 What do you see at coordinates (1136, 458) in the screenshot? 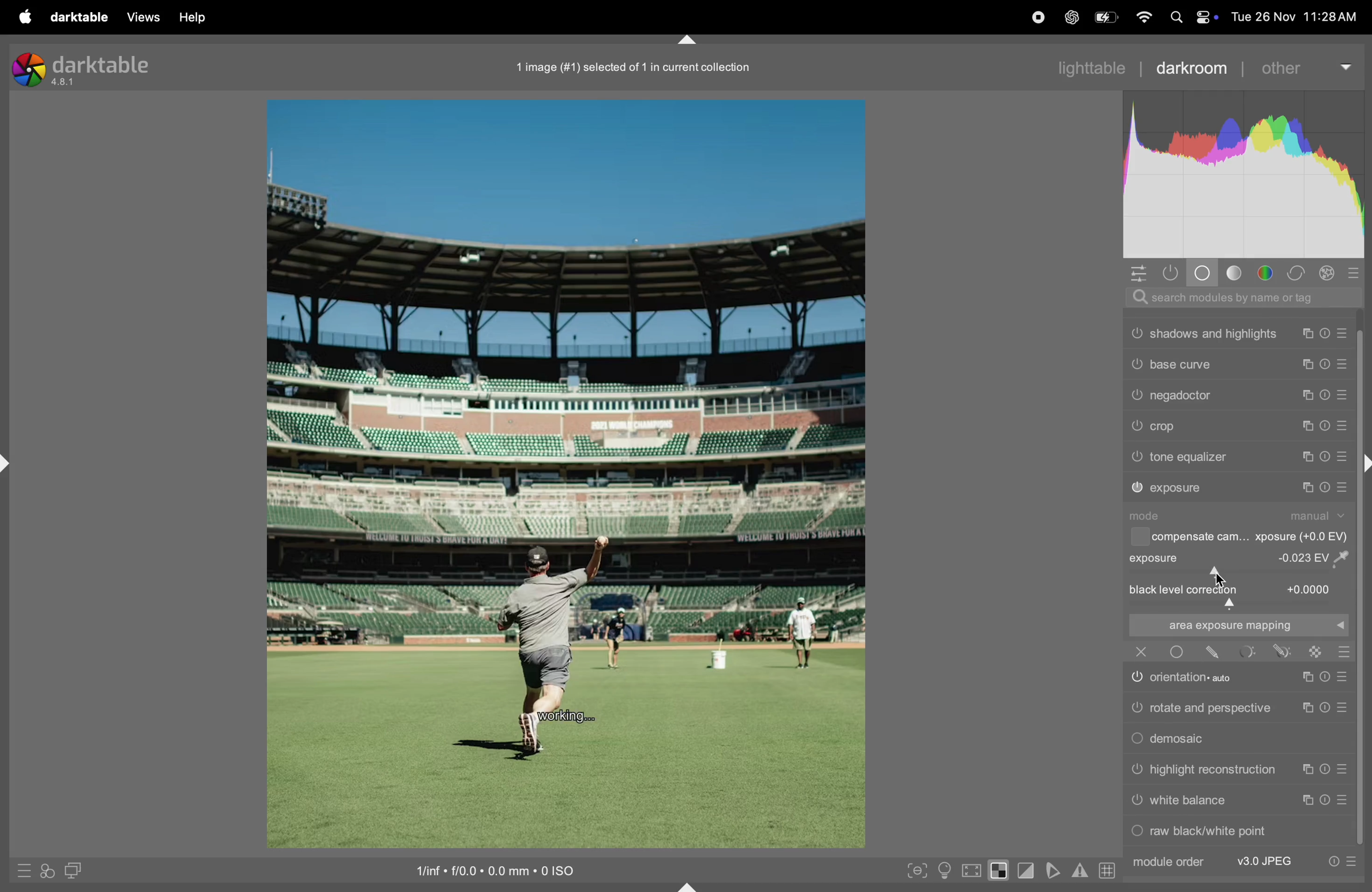
I see `Switch on or off` at bounding box center [1136, 458].